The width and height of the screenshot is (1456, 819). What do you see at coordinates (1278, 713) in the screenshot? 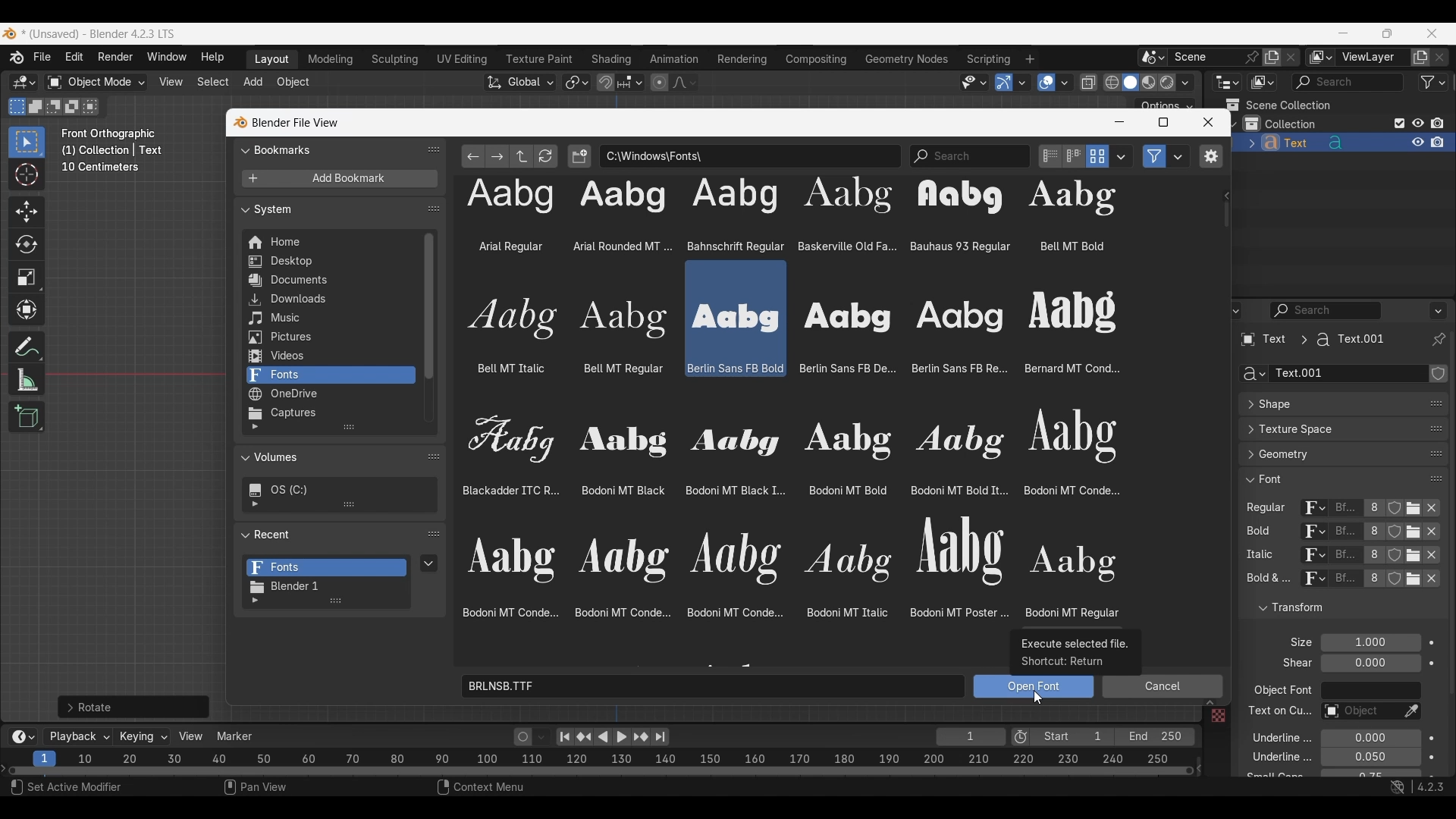
I see `` at bounding box center [1278, 713].